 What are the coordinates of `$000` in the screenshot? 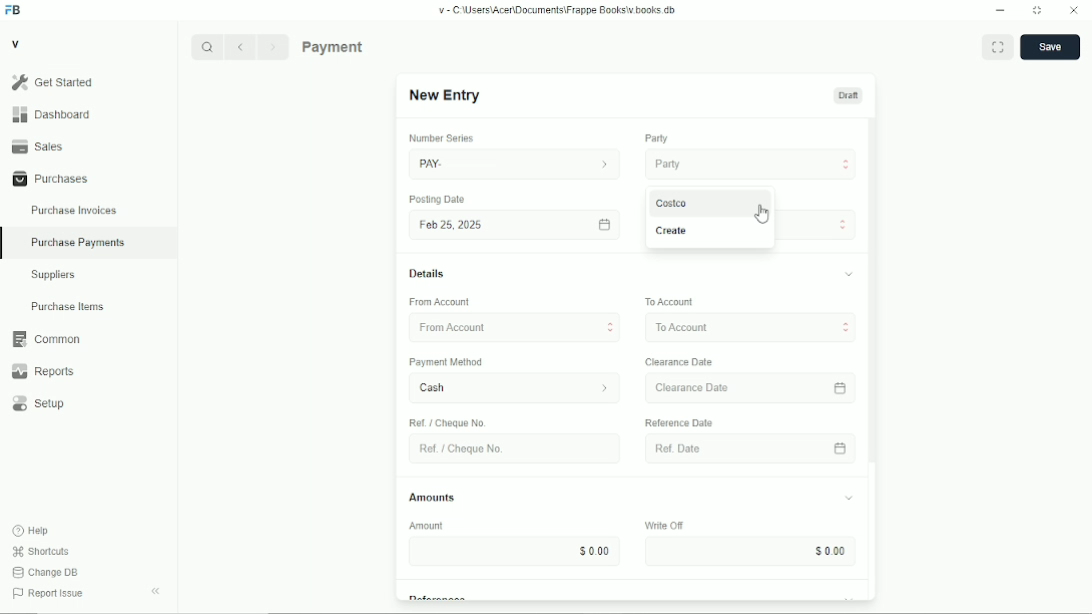 It's located at (519, 551).